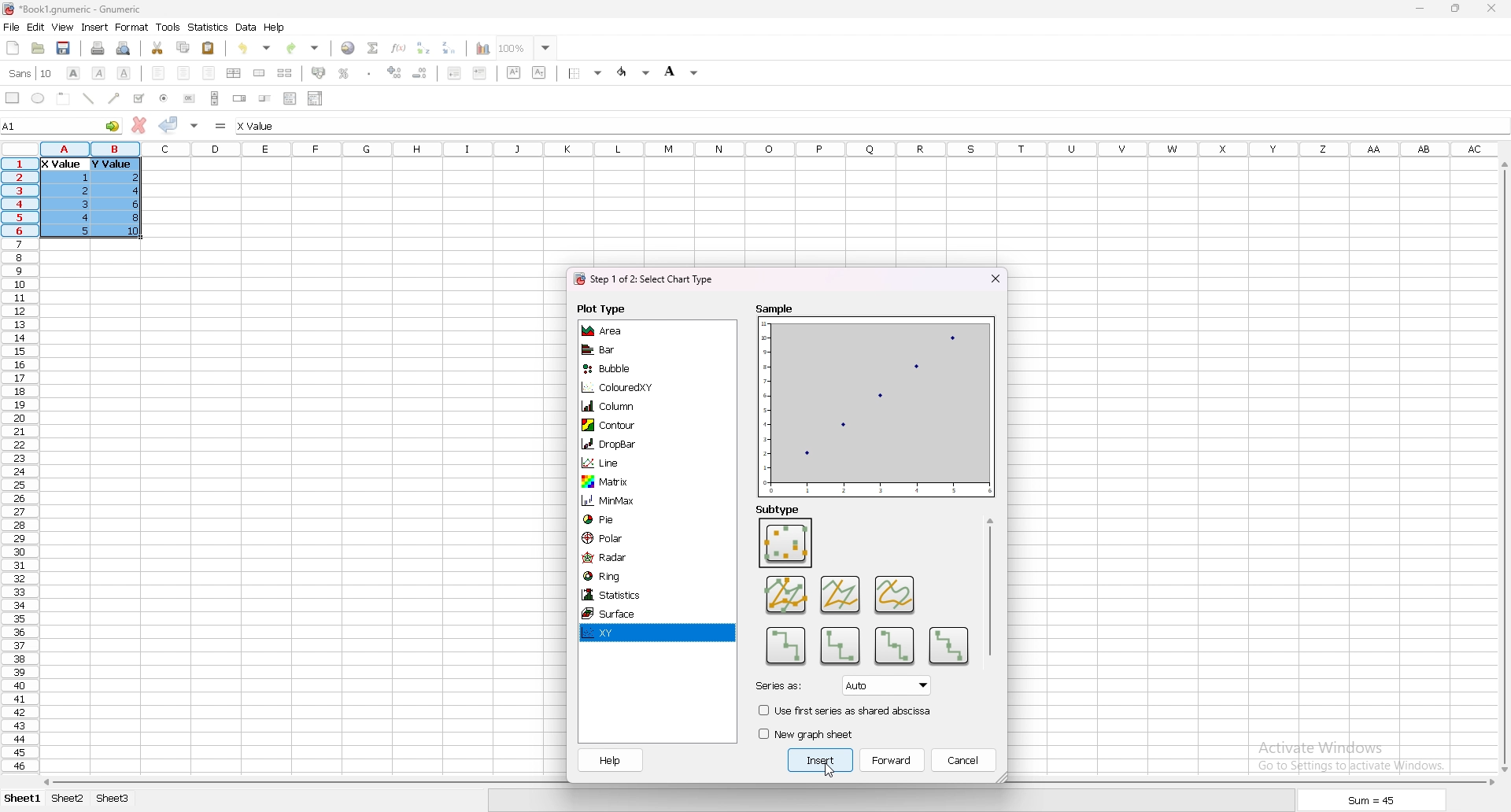 The height and width of the screenshot is (812, 1511). I want to click on right align, so click(209, 73).